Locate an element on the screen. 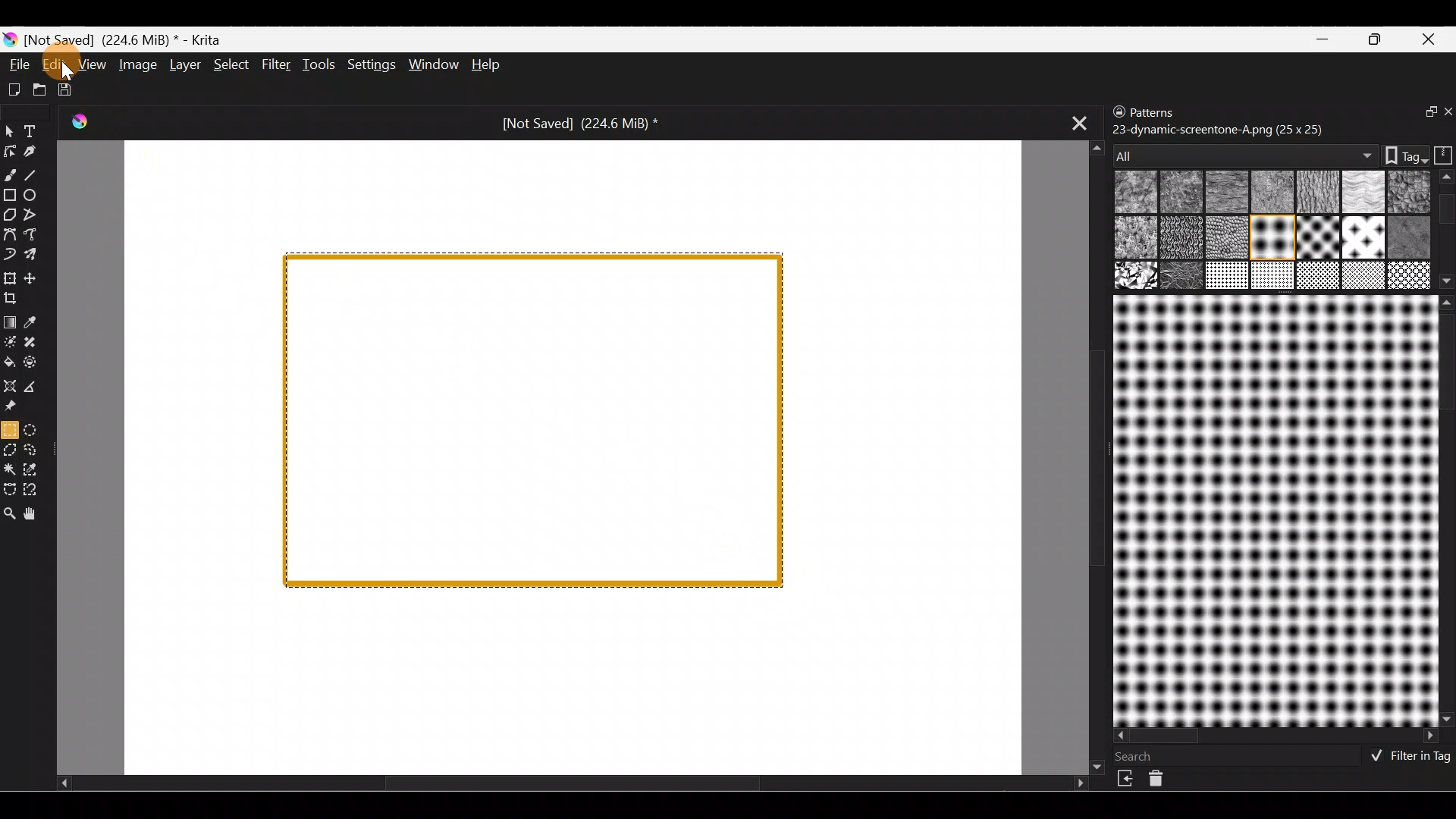 Image resolution: width=1456 pixels, height=819 pixels. 02 rough-canvas.png is located at coordinates (1179, 191).